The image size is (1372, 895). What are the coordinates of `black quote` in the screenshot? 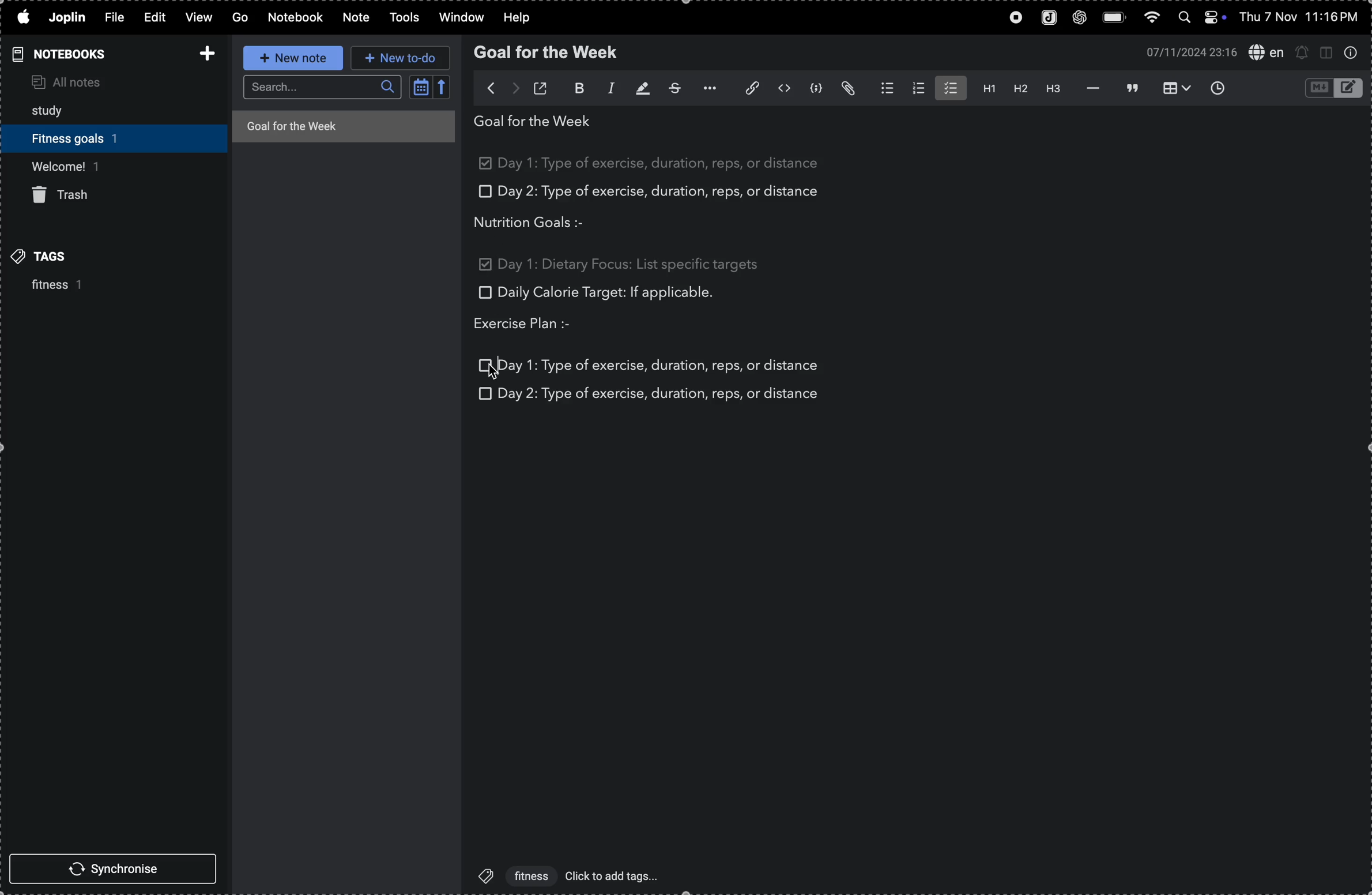 It's located at (1132, 87).